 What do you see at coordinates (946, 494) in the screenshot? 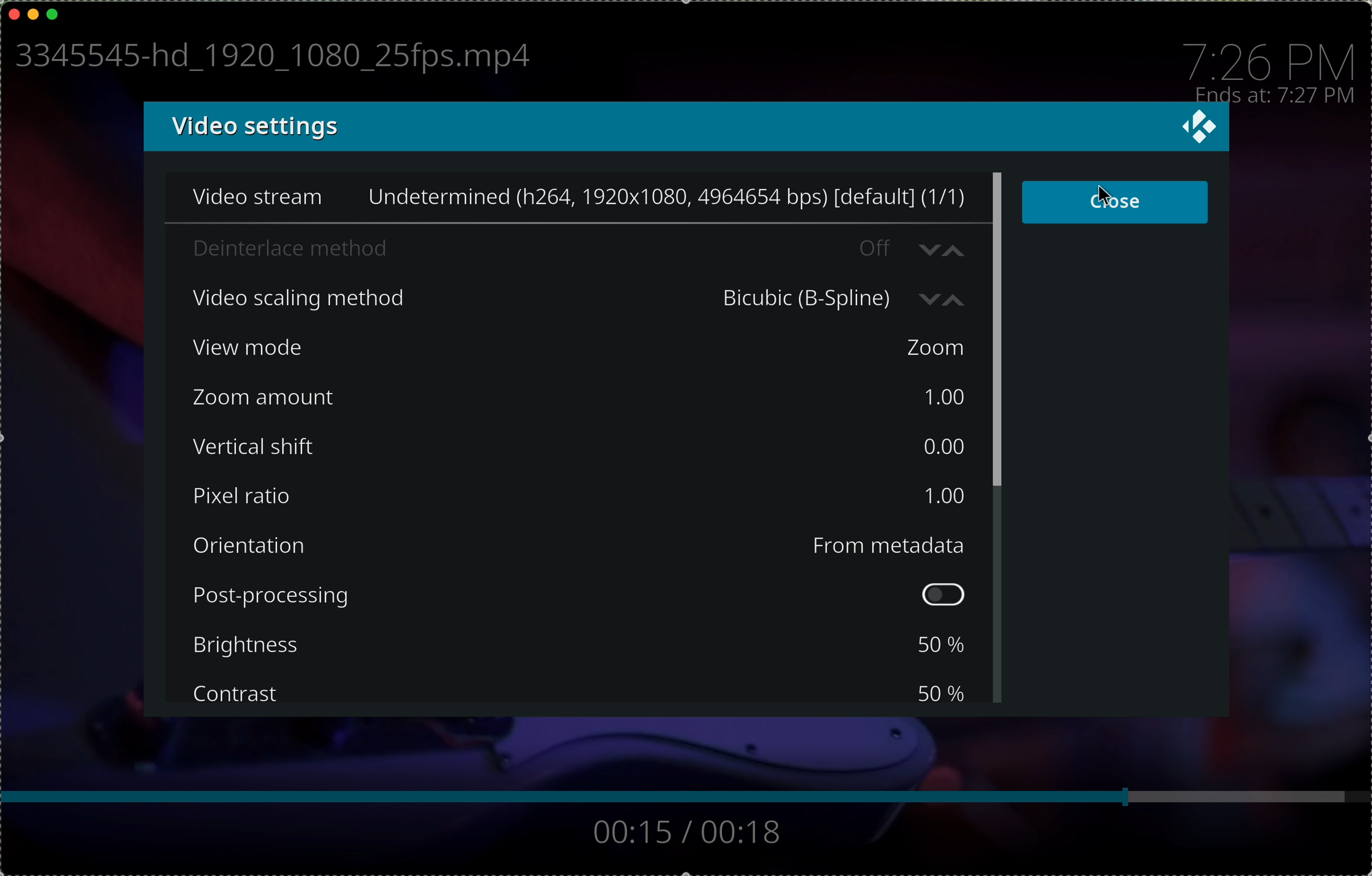
I see `1.00` at bounding box center [946, 494].